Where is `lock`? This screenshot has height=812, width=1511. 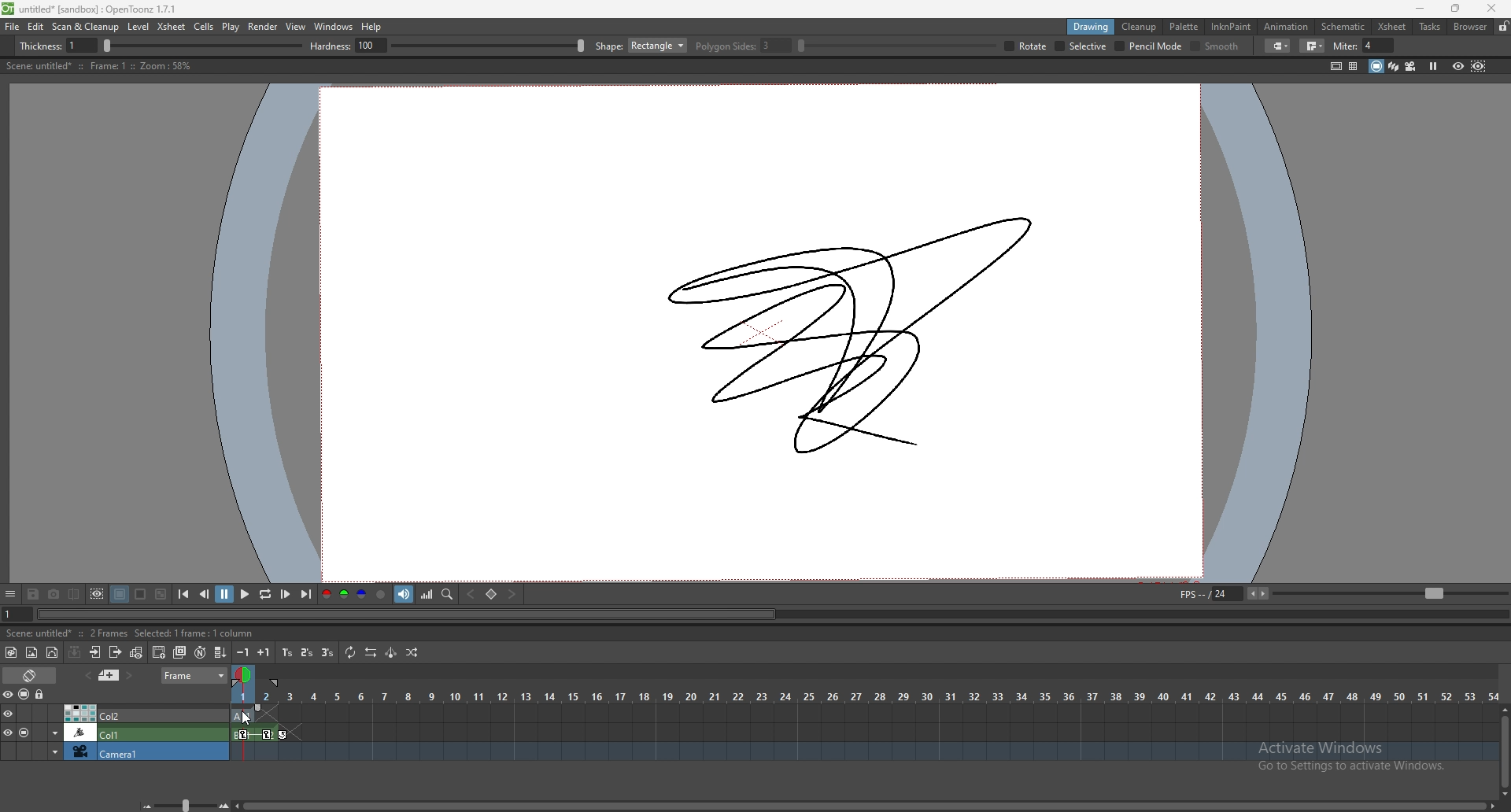 lock is located at coordinates (1503, 26).